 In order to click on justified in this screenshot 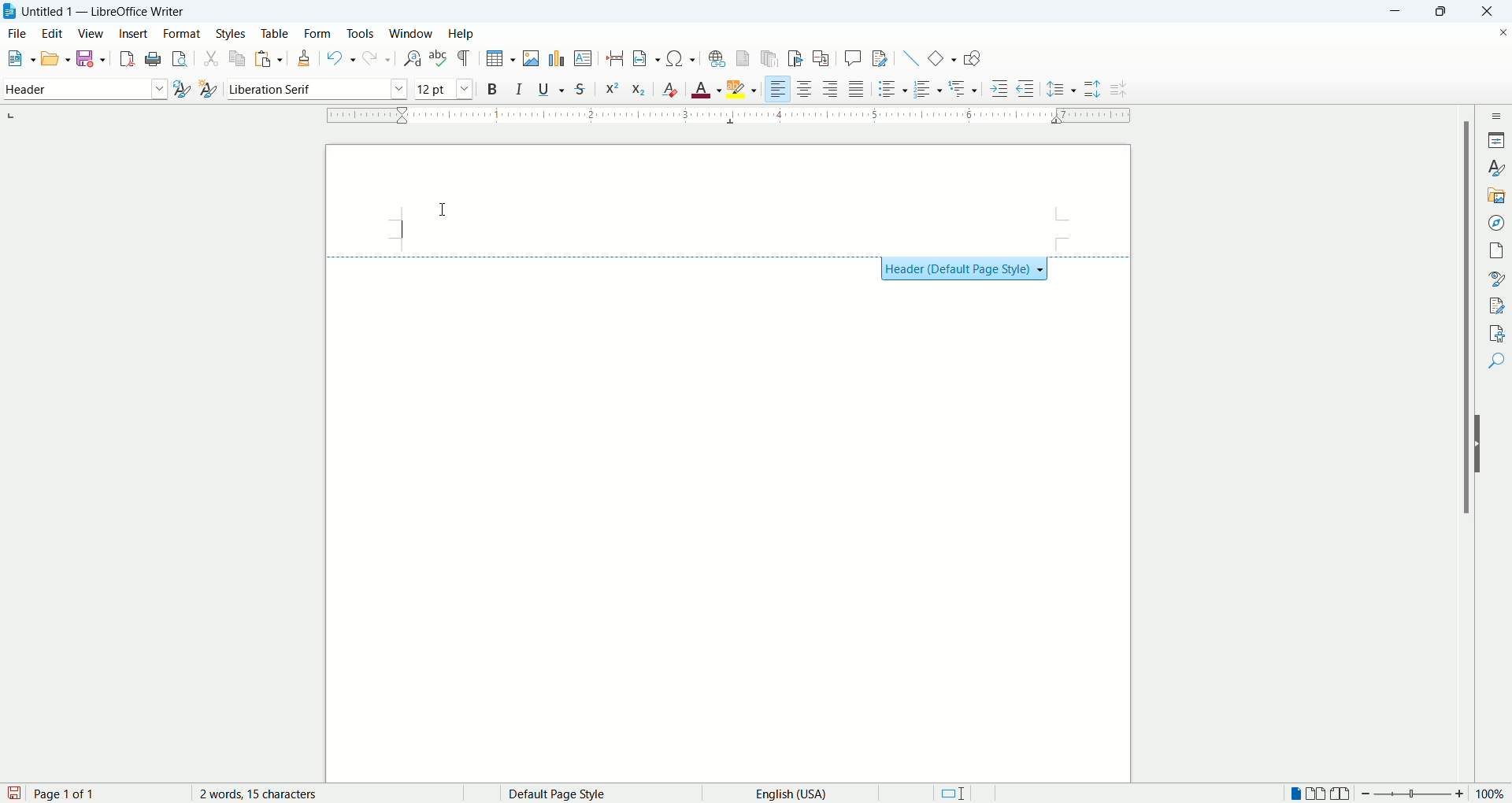, I will do `click(857, 90)`.